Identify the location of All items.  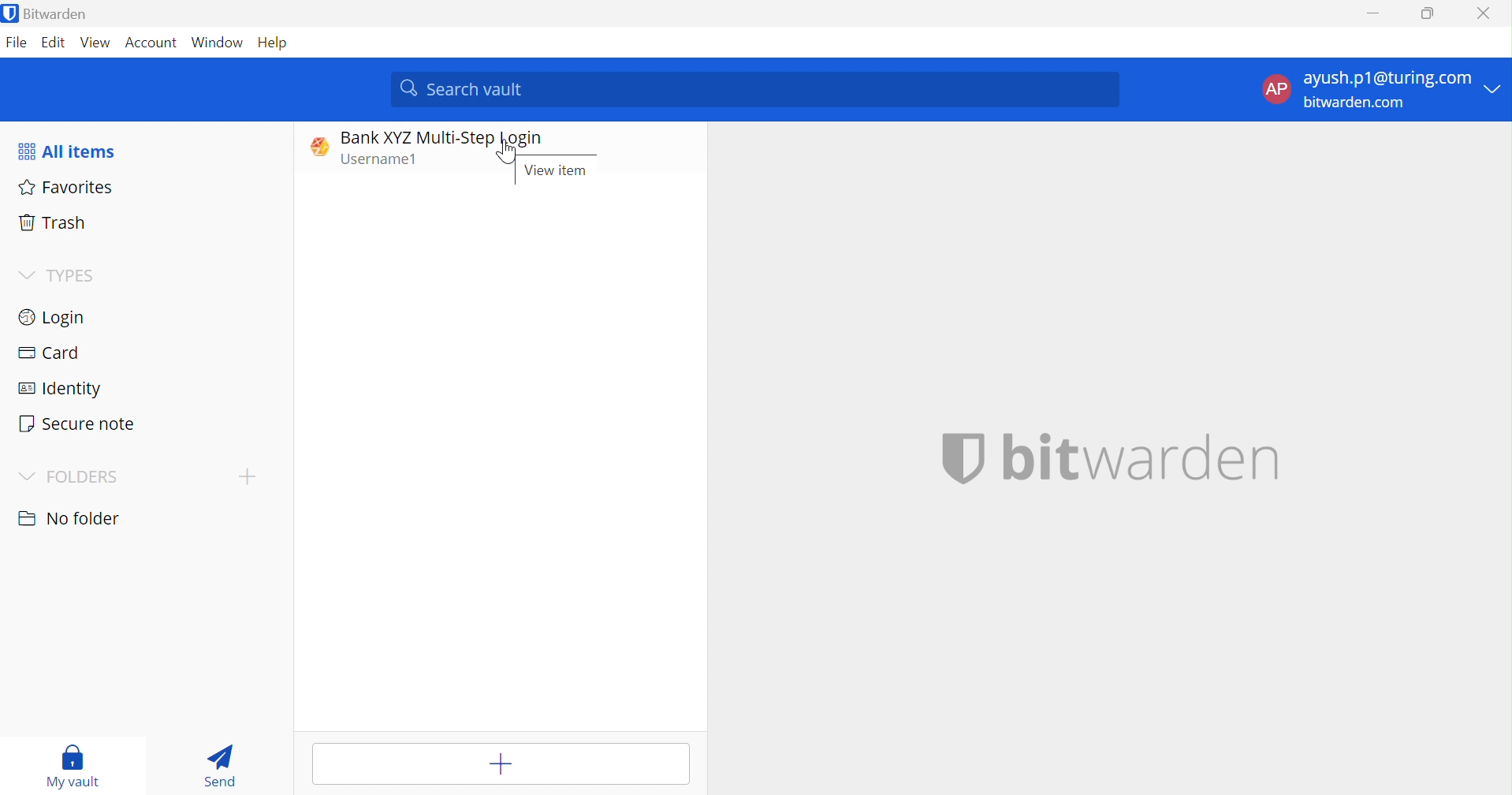
(65, 152).